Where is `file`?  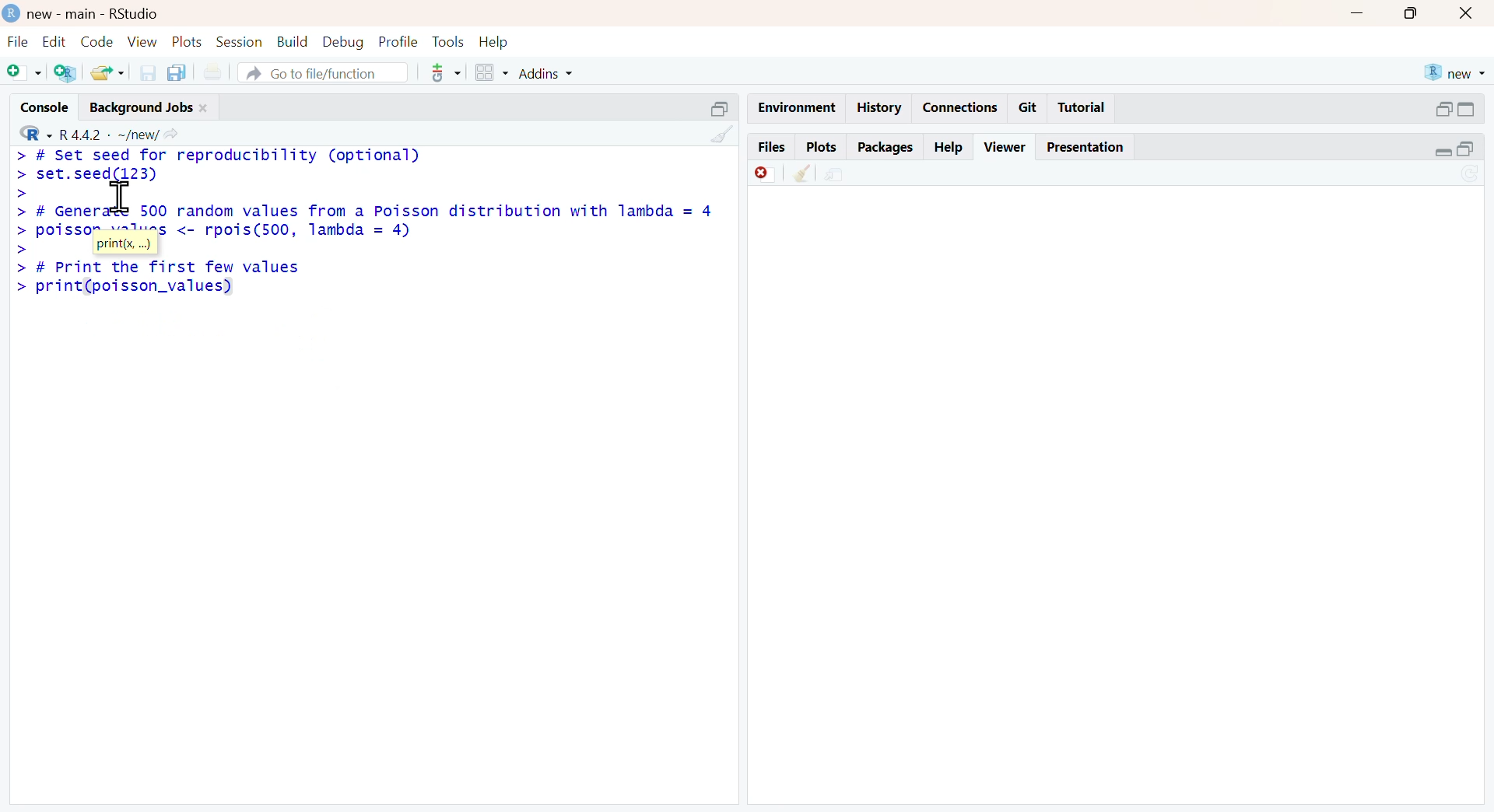
file is located at coordinates (20, 41).